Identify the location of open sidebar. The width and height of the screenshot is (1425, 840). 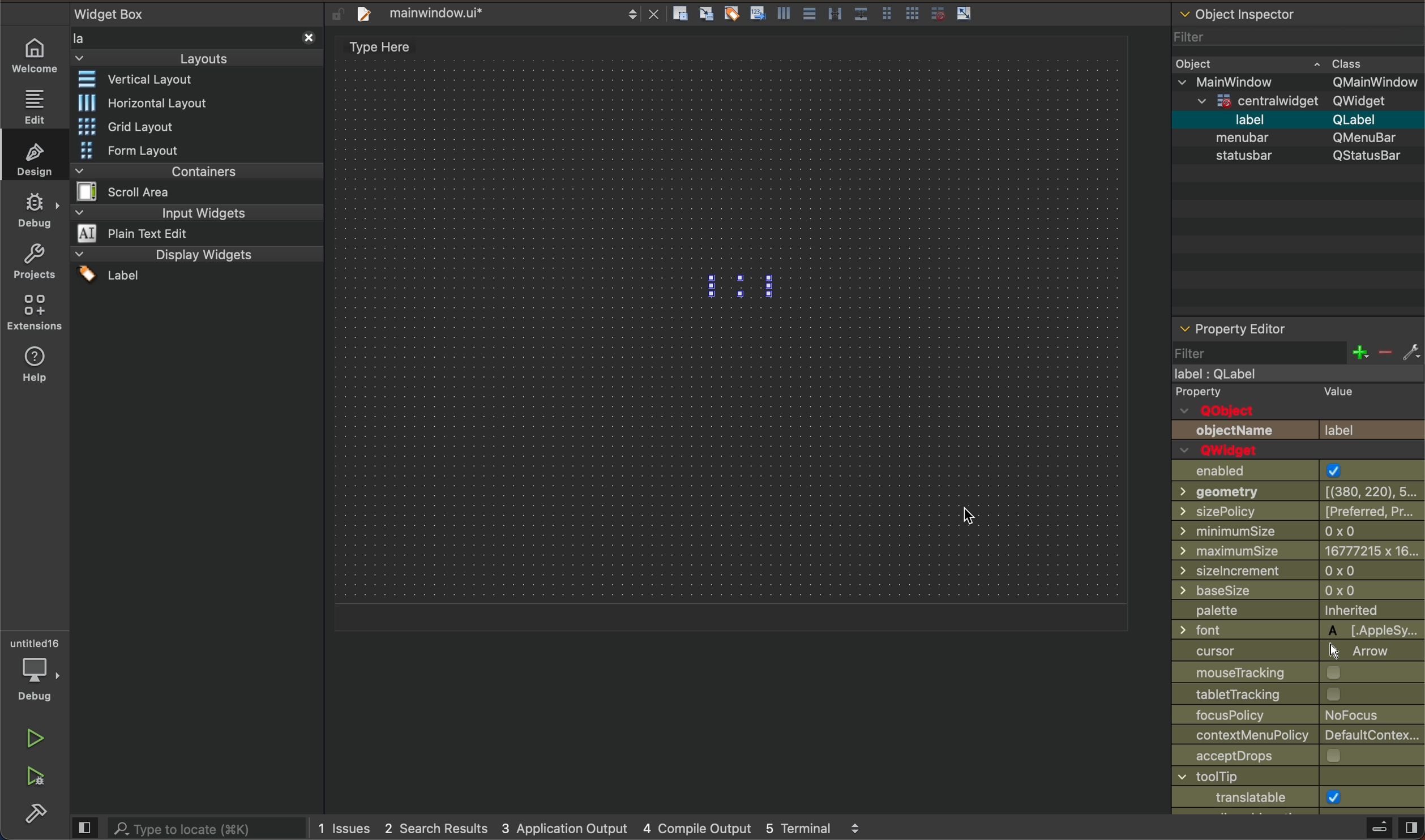
(1382, 825).